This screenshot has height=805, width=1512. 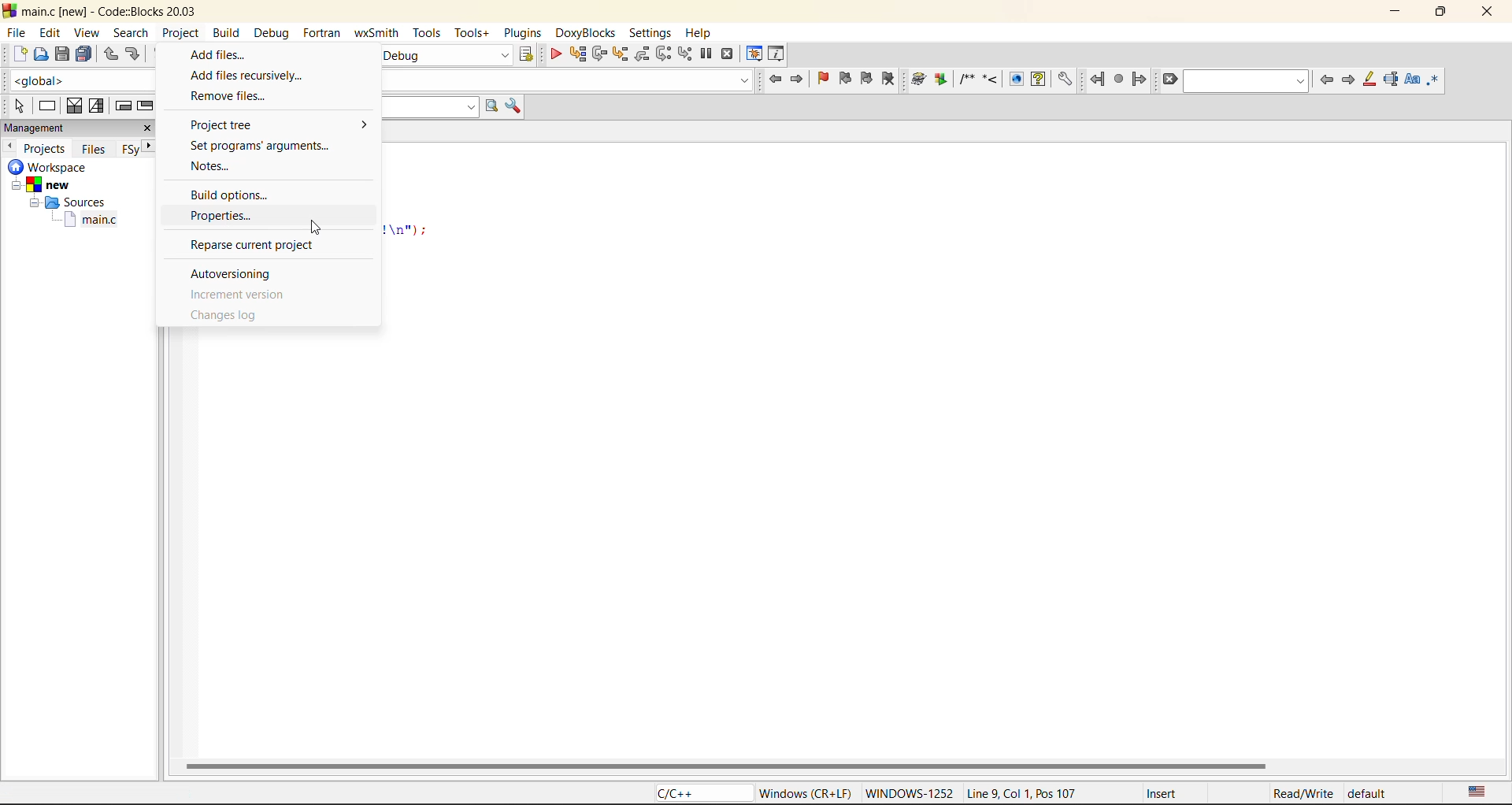 I want to click on set programs arguments, so click(x=265, y=143).